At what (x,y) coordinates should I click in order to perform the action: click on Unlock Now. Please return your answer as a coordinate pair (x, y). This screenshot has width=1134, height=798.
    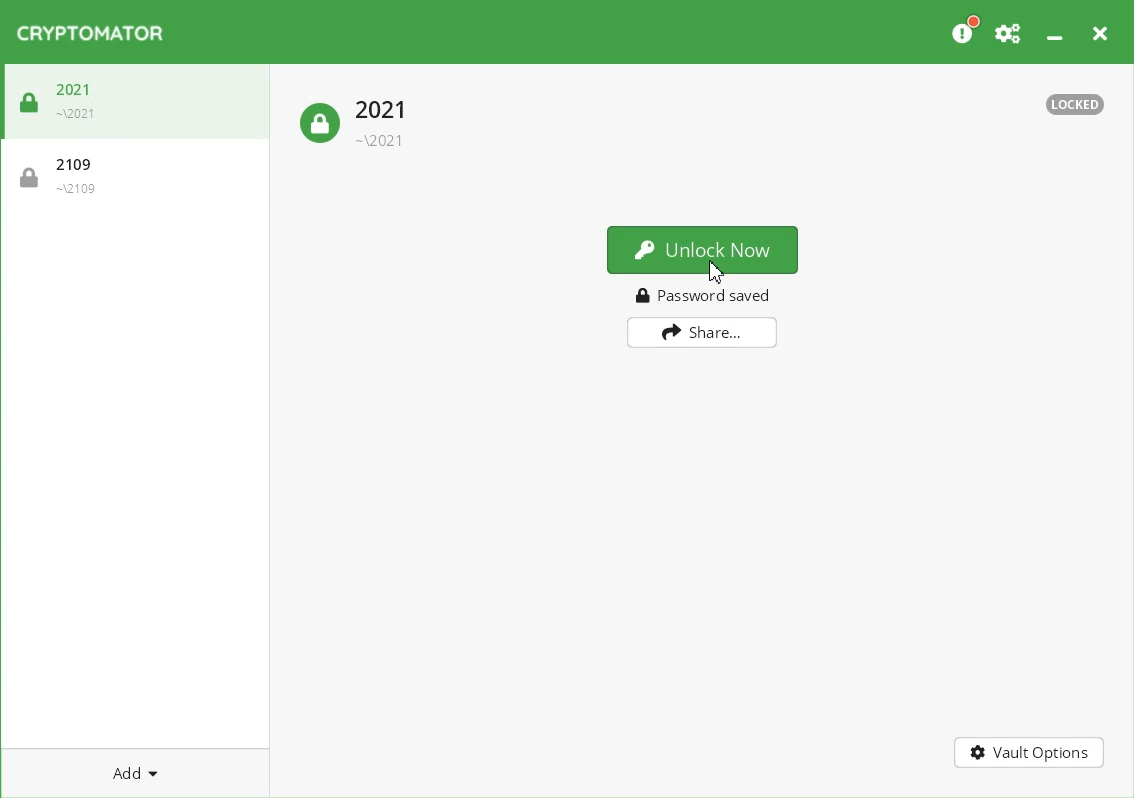
    Looking at the image, I should click on (702, 248).